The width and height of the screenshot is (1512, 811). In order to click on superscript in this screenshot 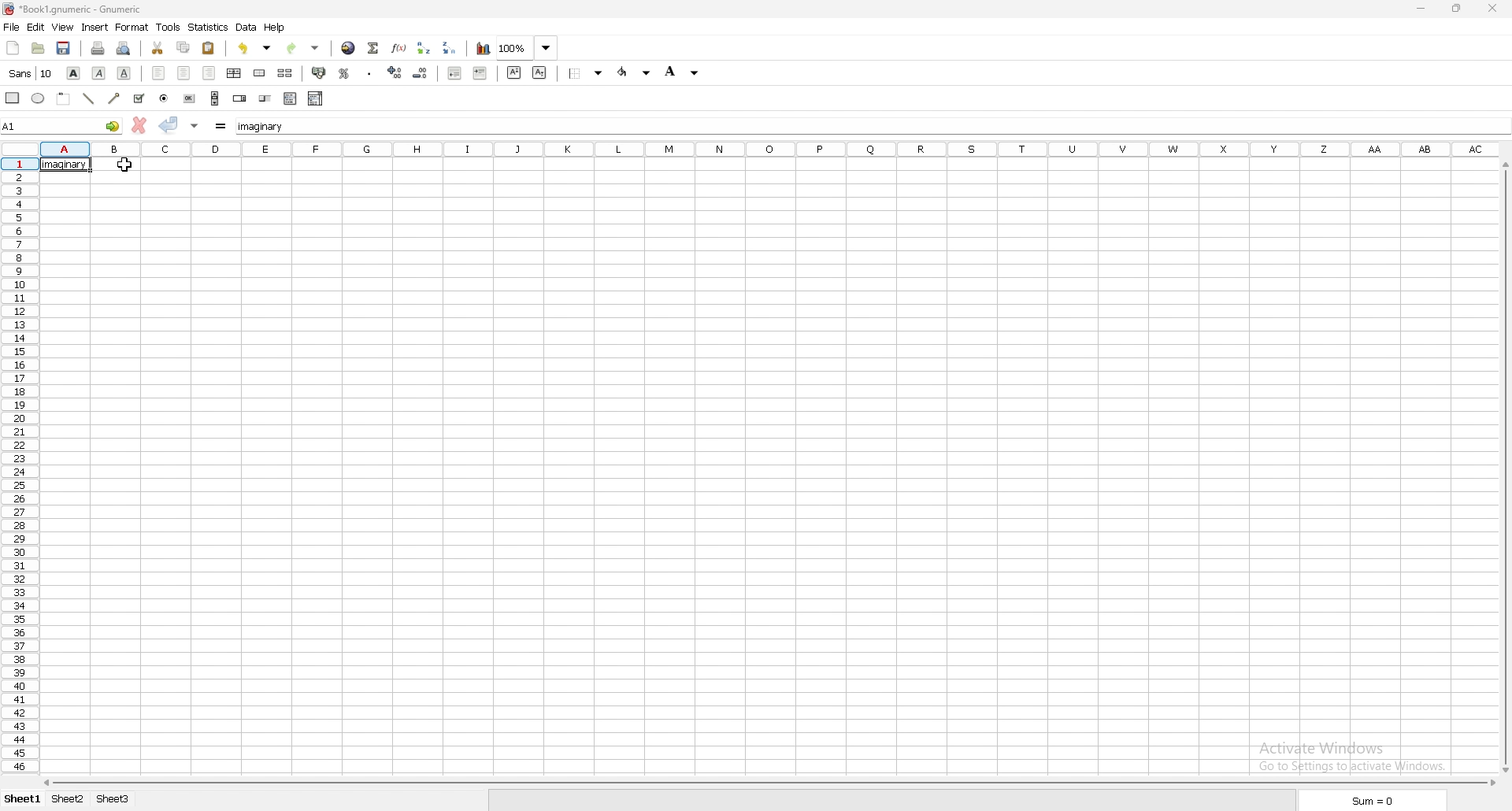, I will do `click(513, 72)`.